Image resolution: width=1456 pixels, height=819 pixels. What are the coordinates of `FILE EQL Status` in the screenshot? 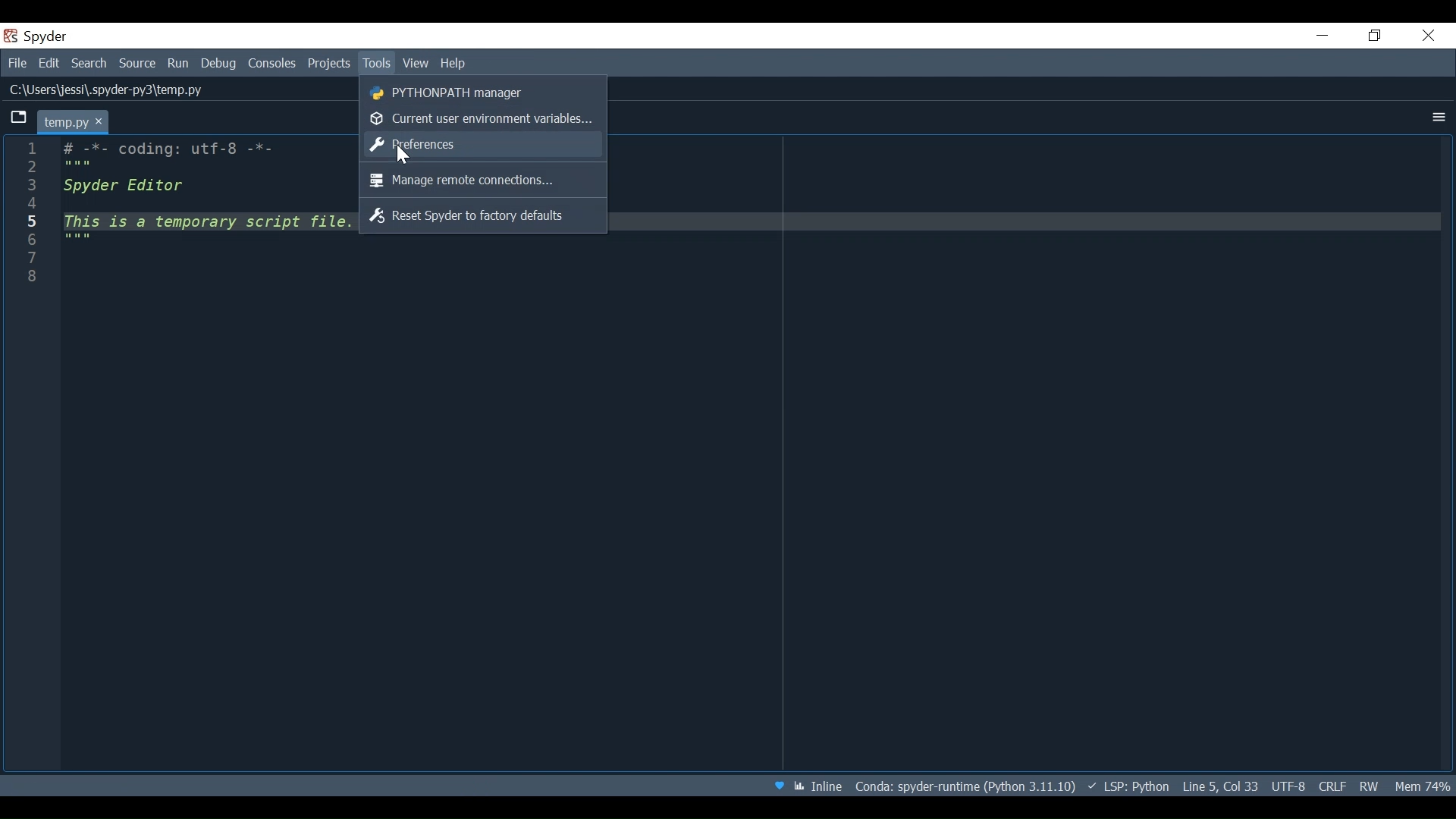 It's located at (1332, 786).